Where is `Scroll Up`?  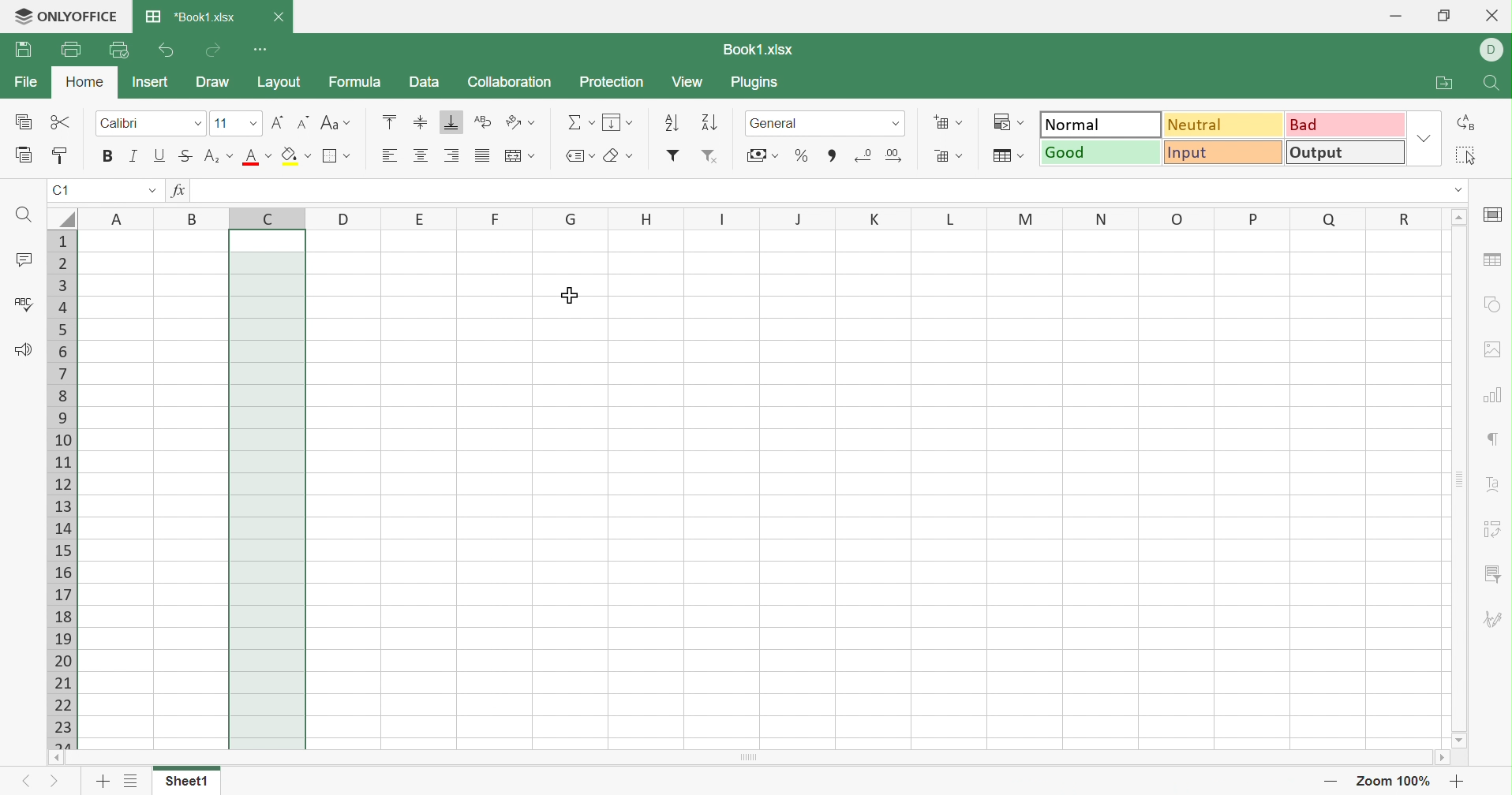 Scroll Up is located at coordinates (1459, 218).